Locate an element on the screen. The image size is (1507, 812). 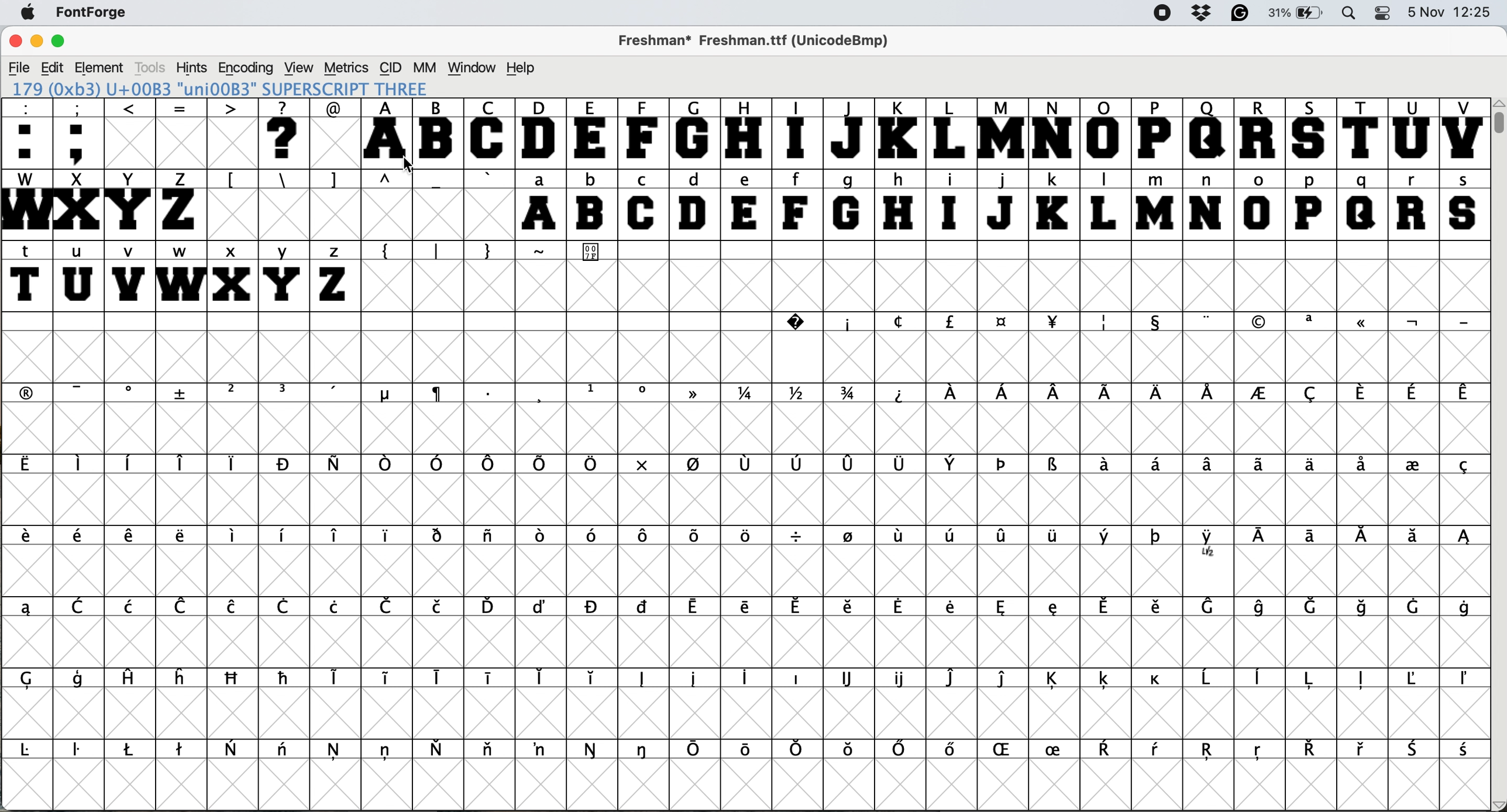
symbol is located at coordinates (851, 751).